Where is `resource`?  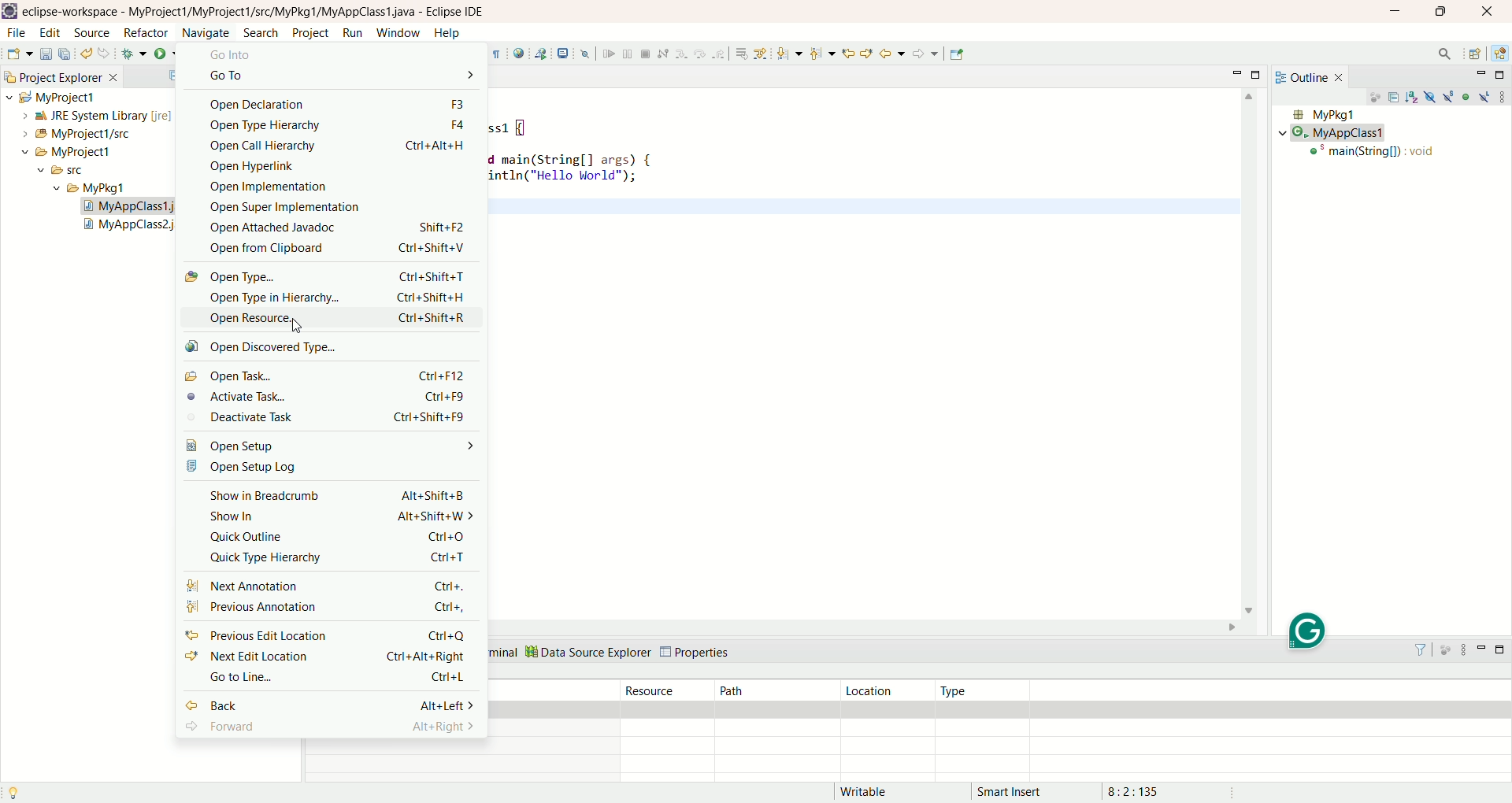 resource is located at coordinates (669, 690).